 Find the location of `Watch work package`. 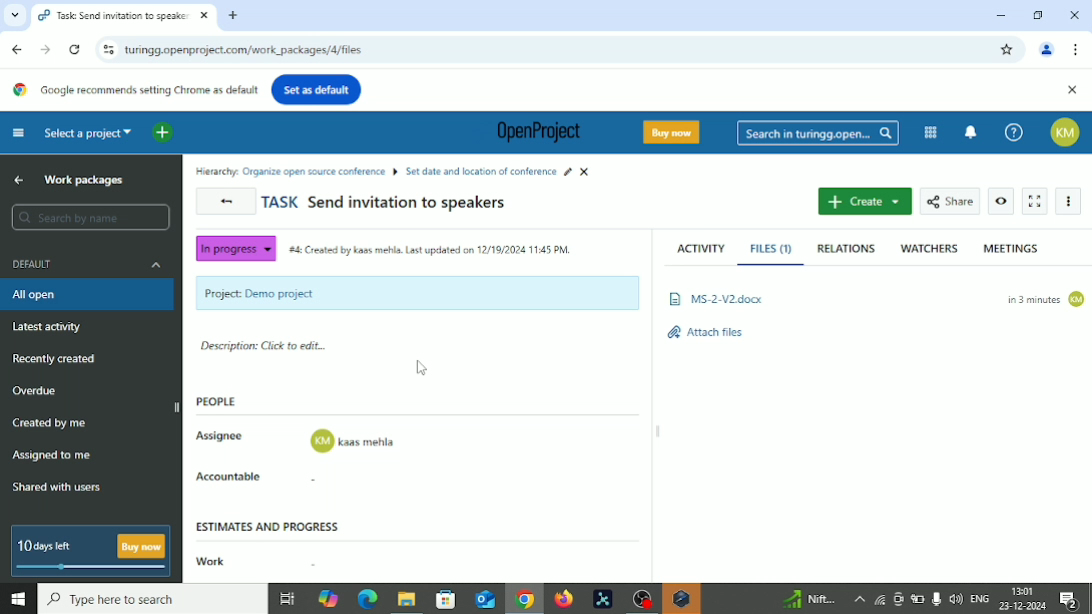

Watch work package is located at coordinates (1002, 201).